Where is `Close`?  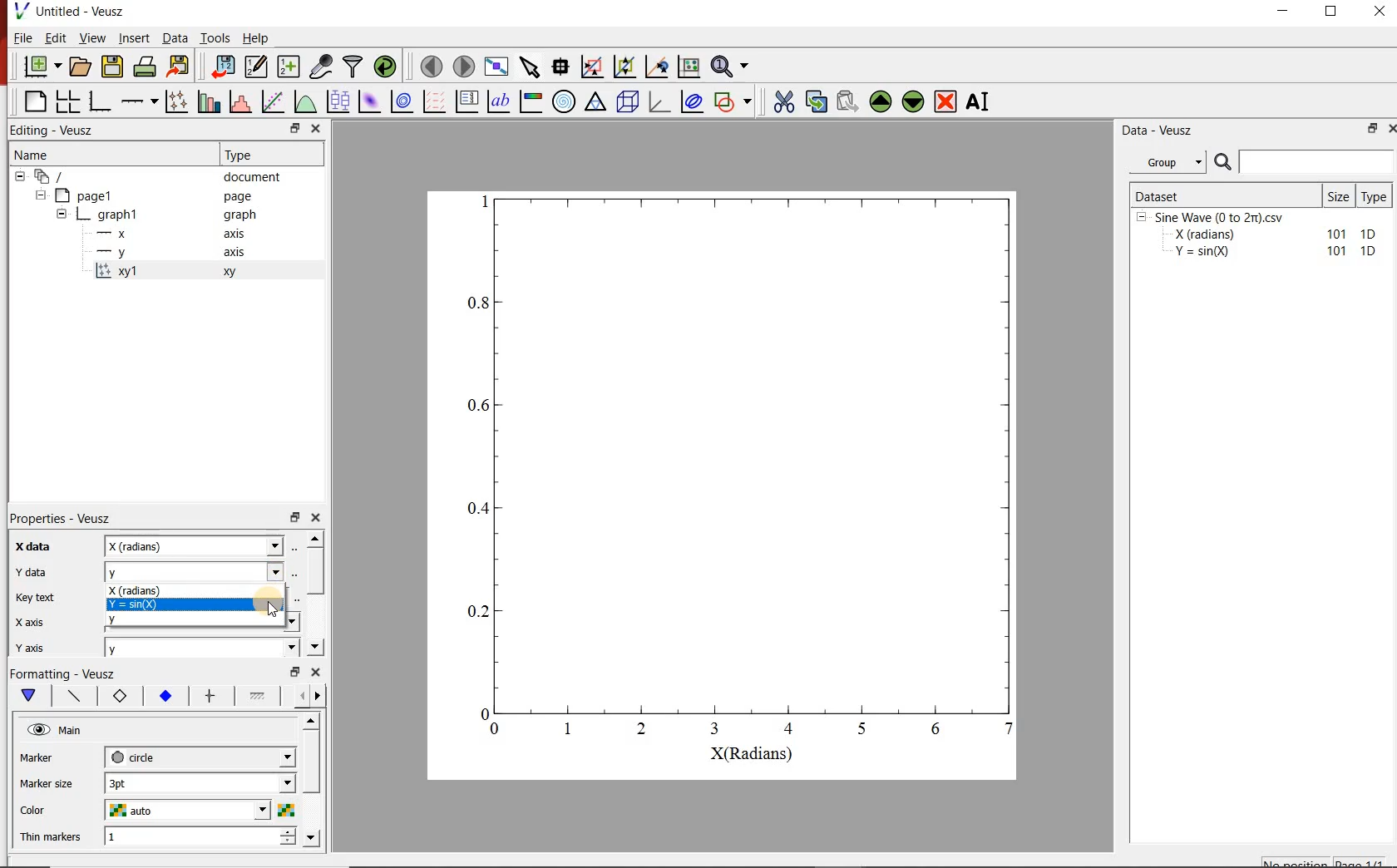
Close is located at coordinates (317, 672).